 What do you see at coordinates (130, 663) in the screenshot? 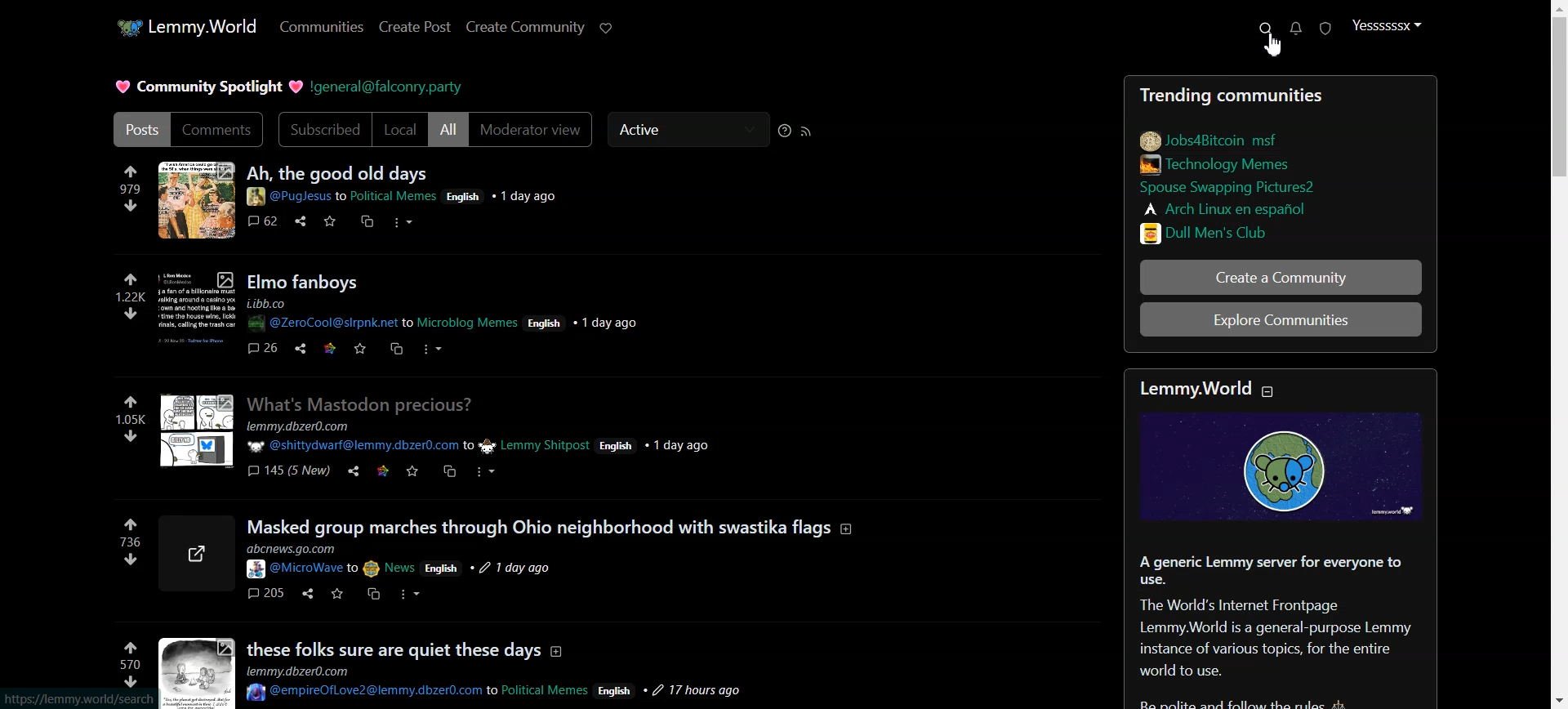
I see `numbers` at bounding box center [130, 663].